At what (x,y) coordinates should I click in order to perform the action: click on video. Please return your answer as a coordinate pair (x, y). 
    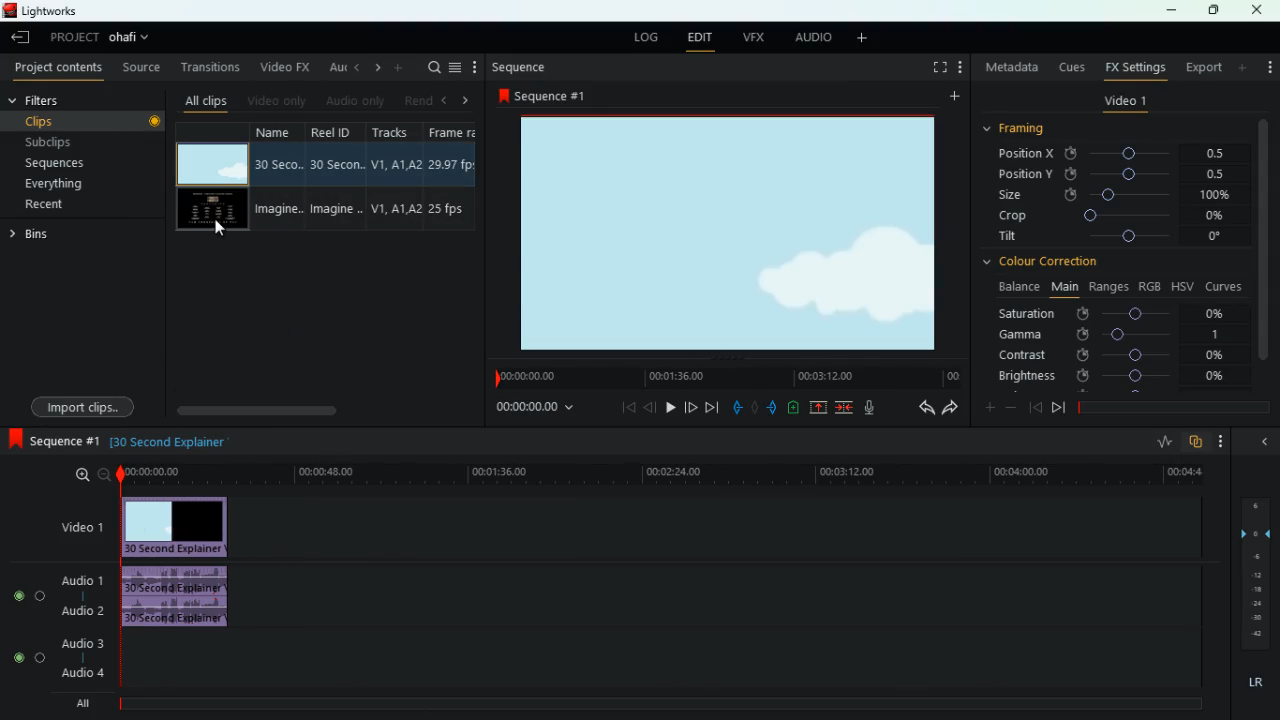
    Looking at the image, I should click on (176, 523).